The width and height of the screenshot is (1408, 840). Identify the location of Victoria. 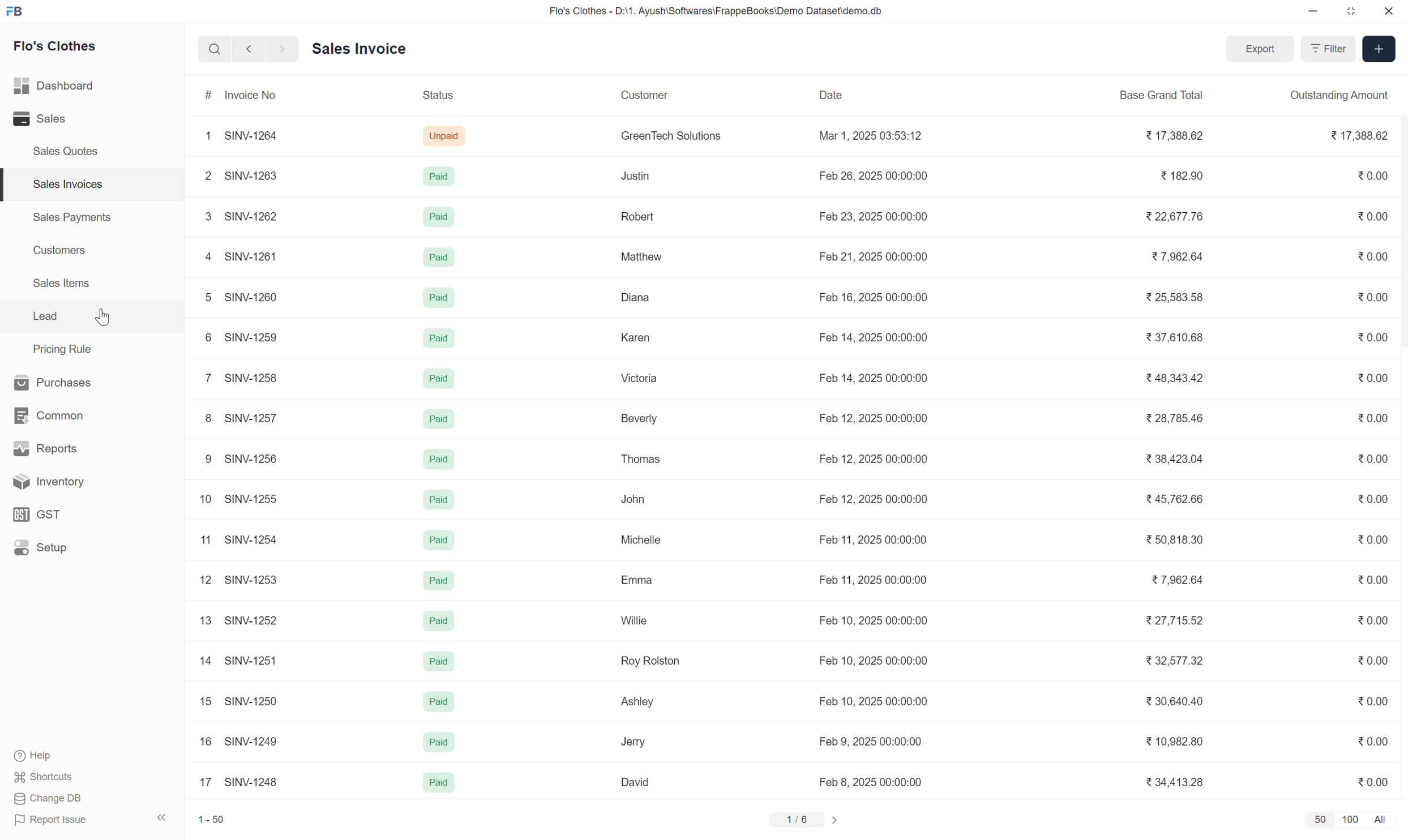
(640, 377).